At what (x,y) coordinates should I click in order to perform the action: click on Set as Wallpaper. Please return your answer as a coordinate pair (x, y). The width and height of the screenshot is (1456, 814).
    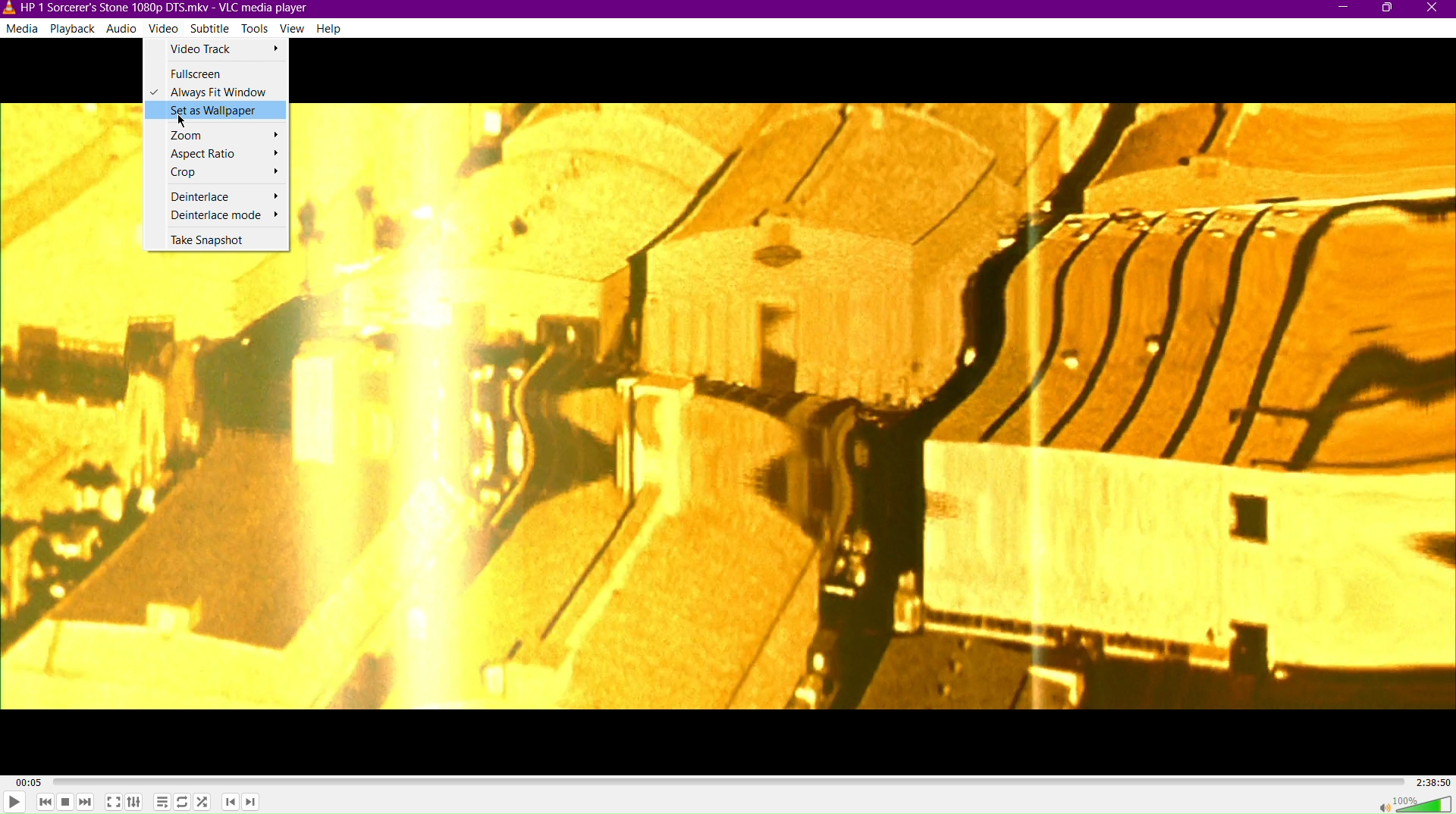
    Looking at the image, I should click on (218, 112).